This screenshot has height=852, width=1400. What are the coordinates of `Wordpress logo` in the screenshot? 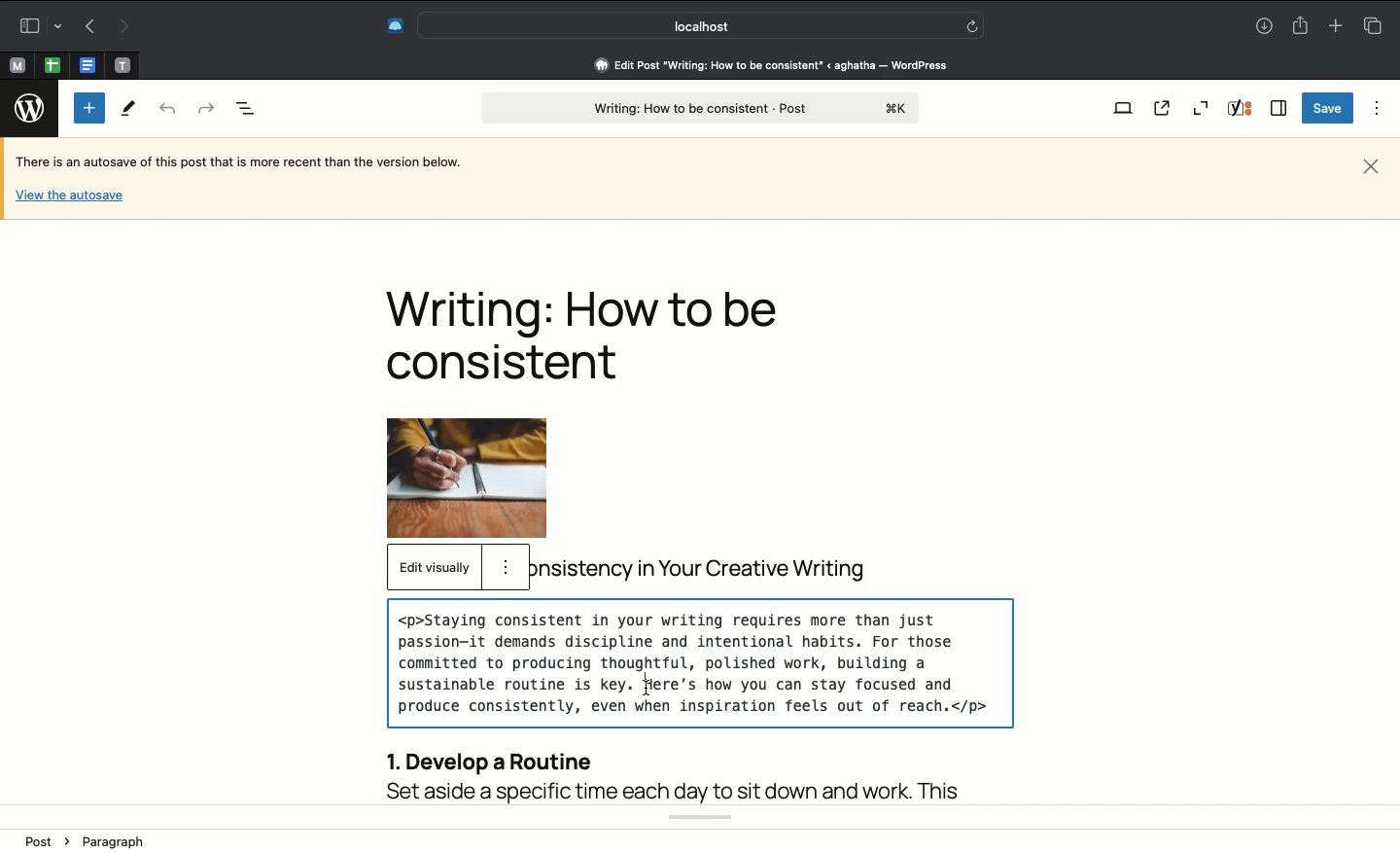 It's located at (31, 108).